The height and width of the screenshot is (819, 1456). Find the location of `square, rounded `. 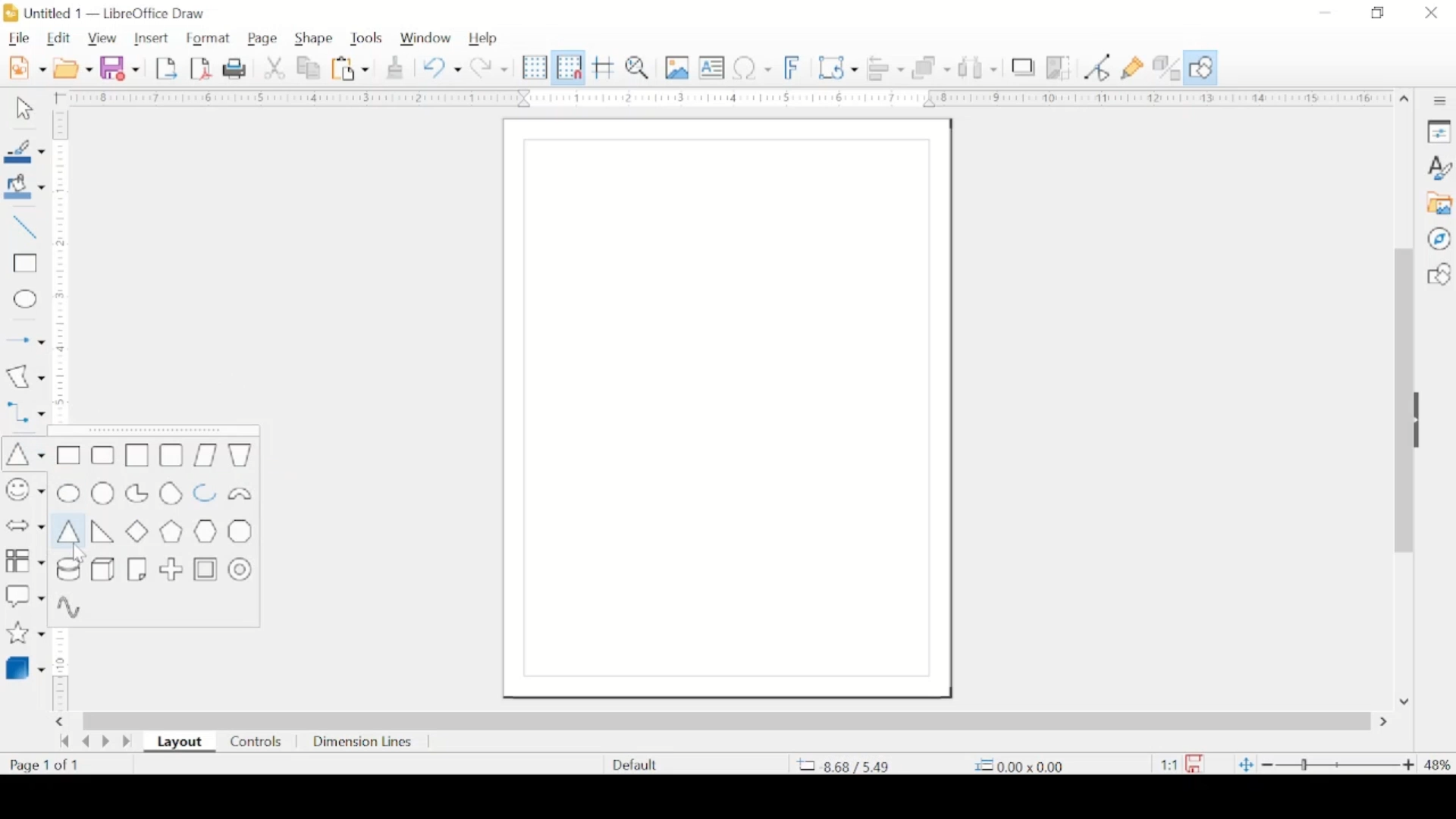

square, rounded  is located at coordinates (171, 456).